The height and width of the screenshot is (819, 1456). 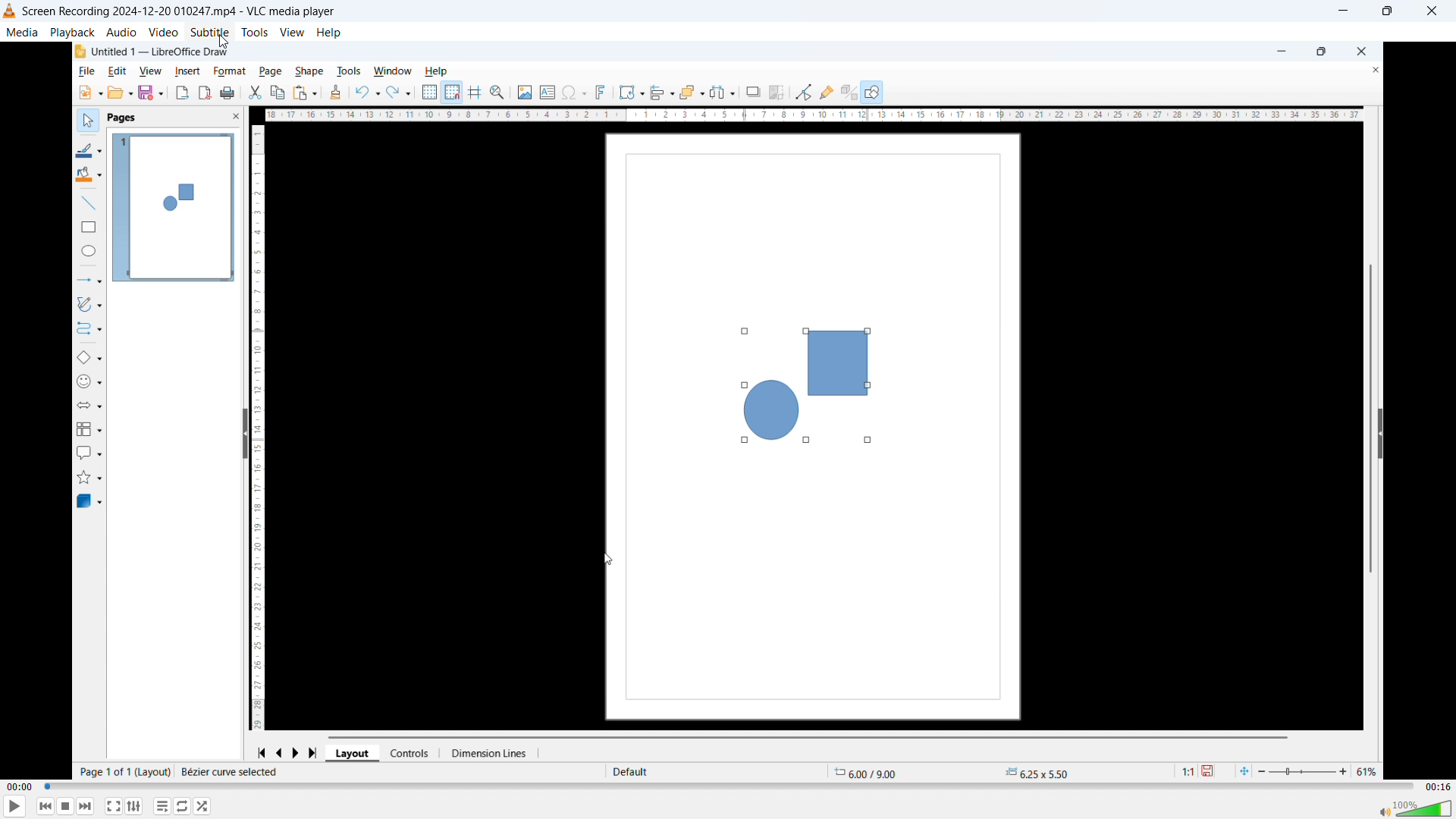 I want to click on Layout, so click(x=354, y=753).